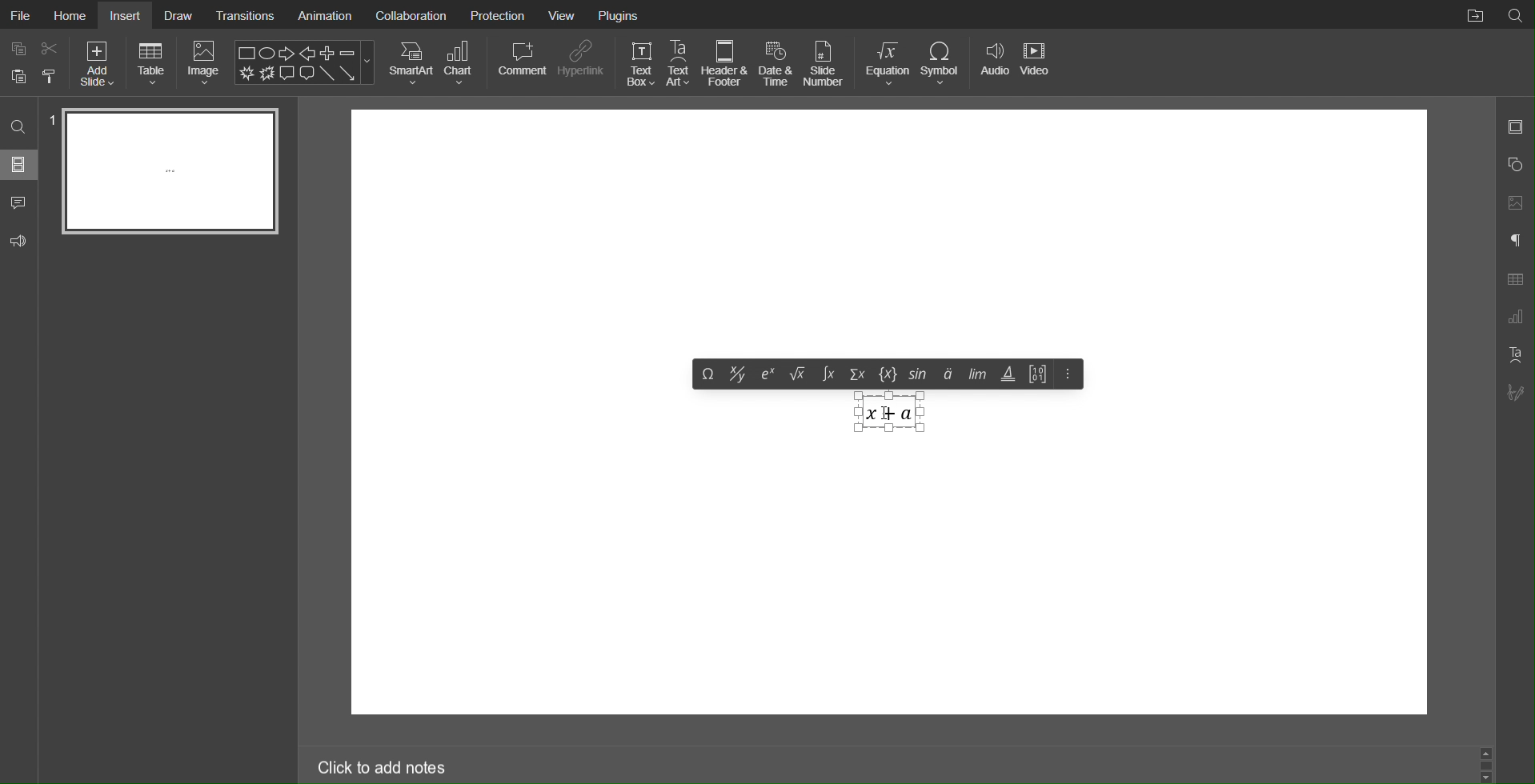 Image resolution: width=1535 pixels, height=784 pixels. I want to click on Exponent, so click(768, 374).